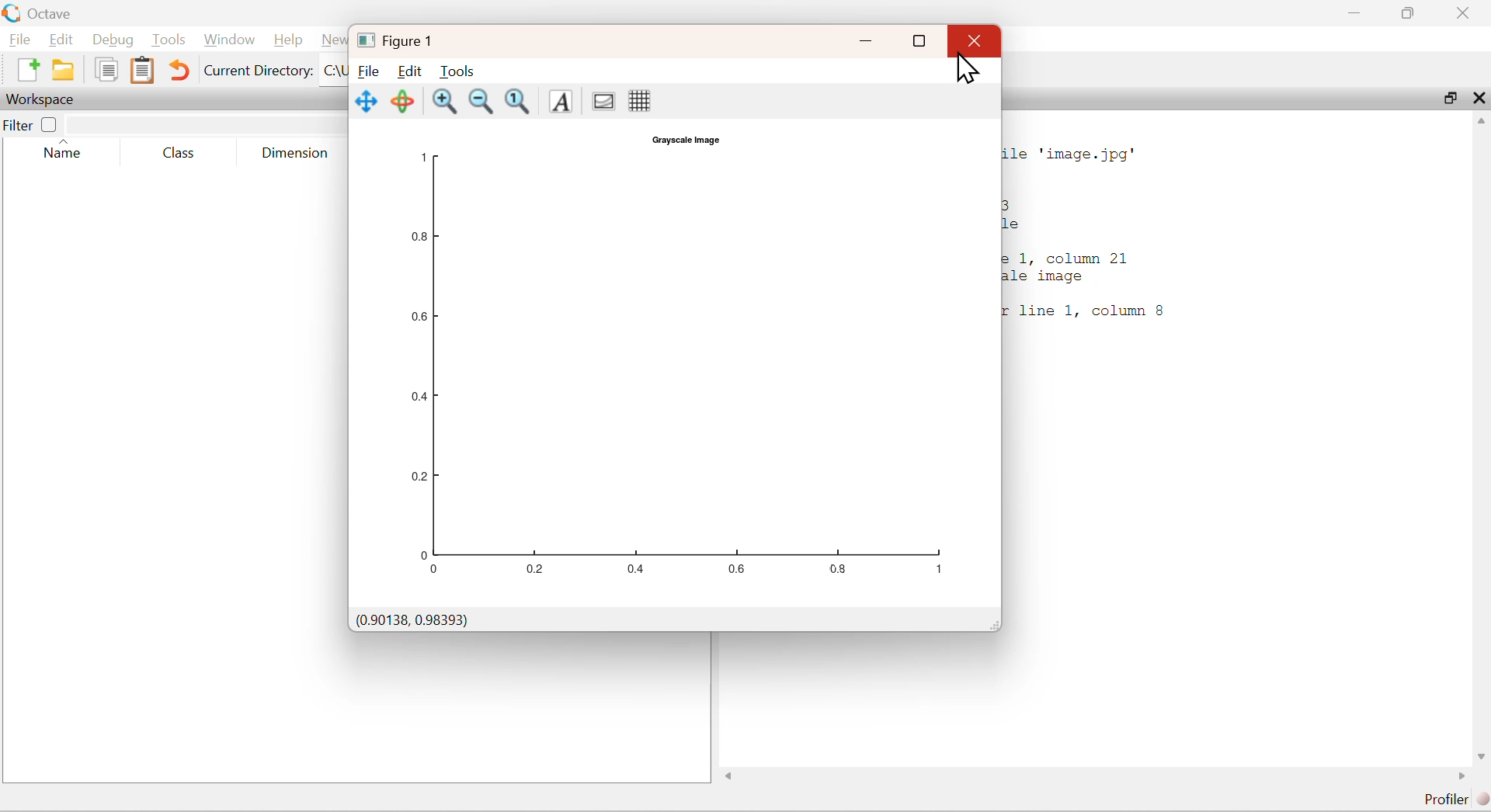 The image size is (1491, 812). Describe the element at coordinates (287, 40) in the screenshot. I see `Help` at that location.